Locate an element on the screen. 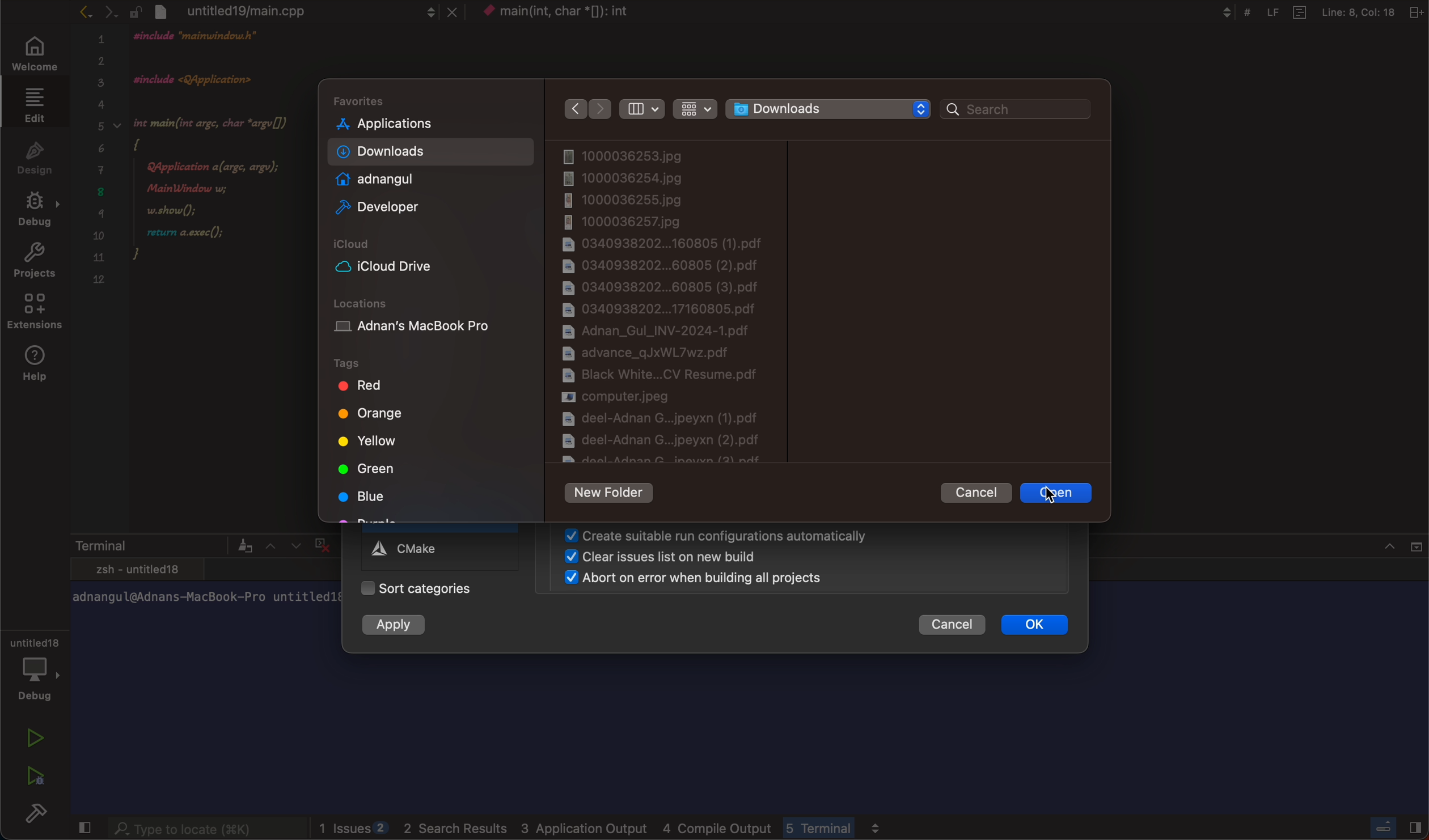 The width and height of the screenshot is (1429, 840). file tab is located at coordinates (306, 11).